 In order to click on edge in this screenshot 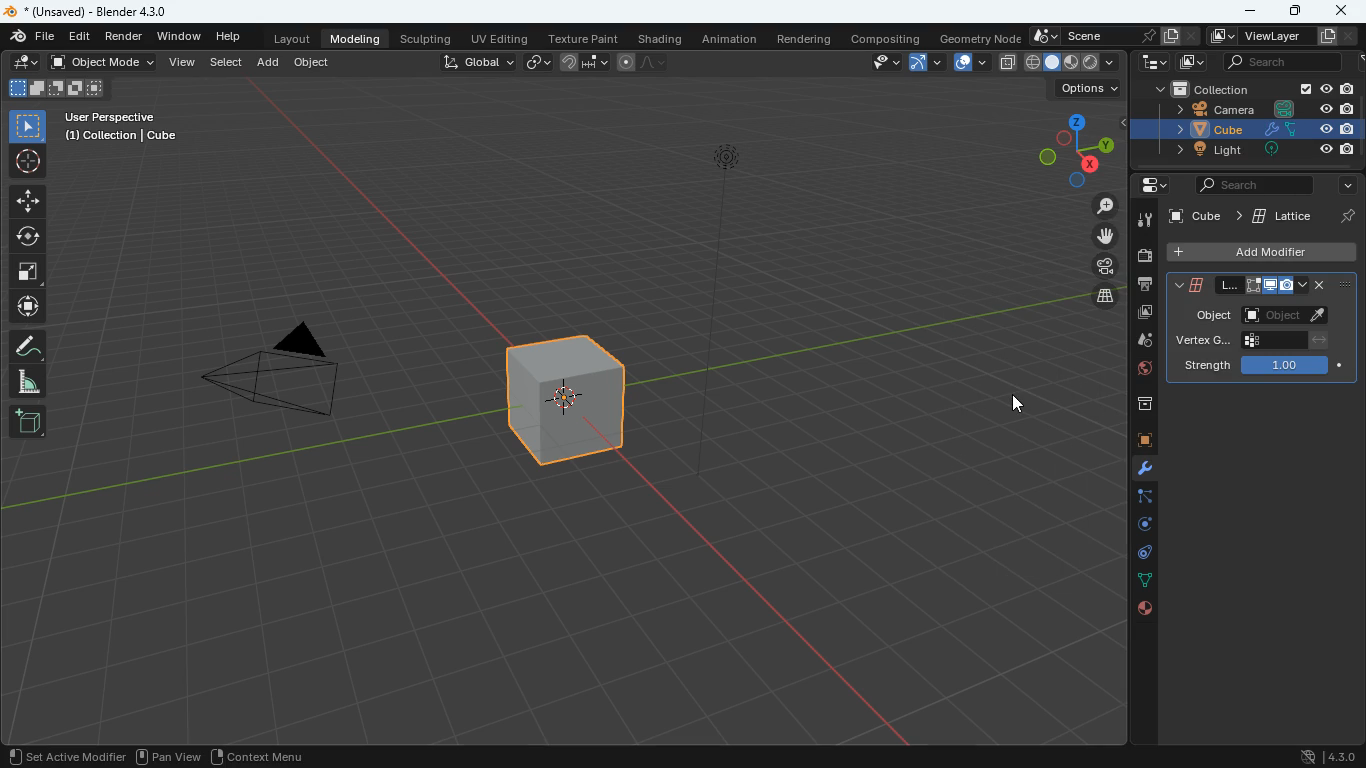, I will do `click(1138, 498)`.